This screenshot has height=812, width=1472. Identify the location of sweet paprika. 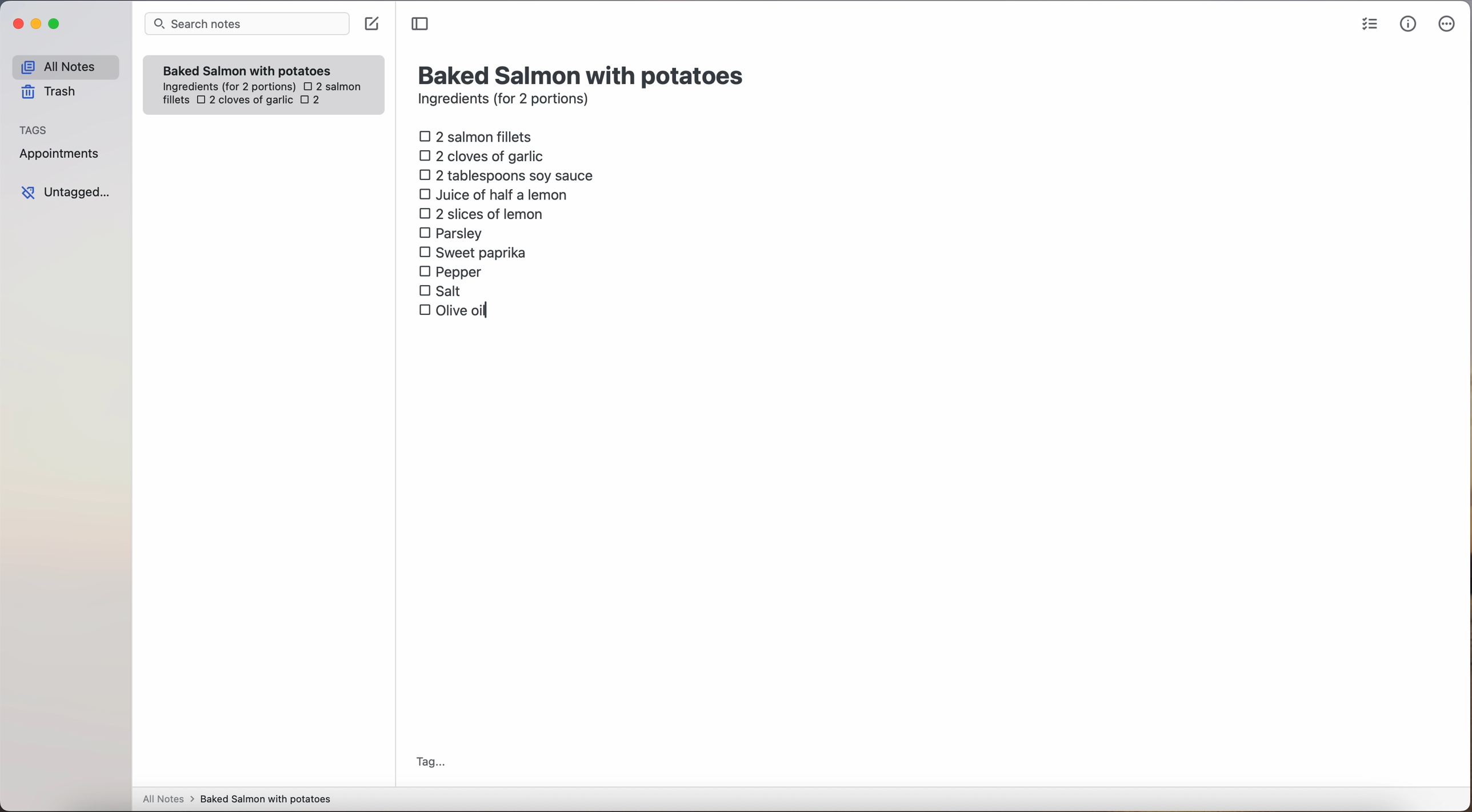
(475, 253).